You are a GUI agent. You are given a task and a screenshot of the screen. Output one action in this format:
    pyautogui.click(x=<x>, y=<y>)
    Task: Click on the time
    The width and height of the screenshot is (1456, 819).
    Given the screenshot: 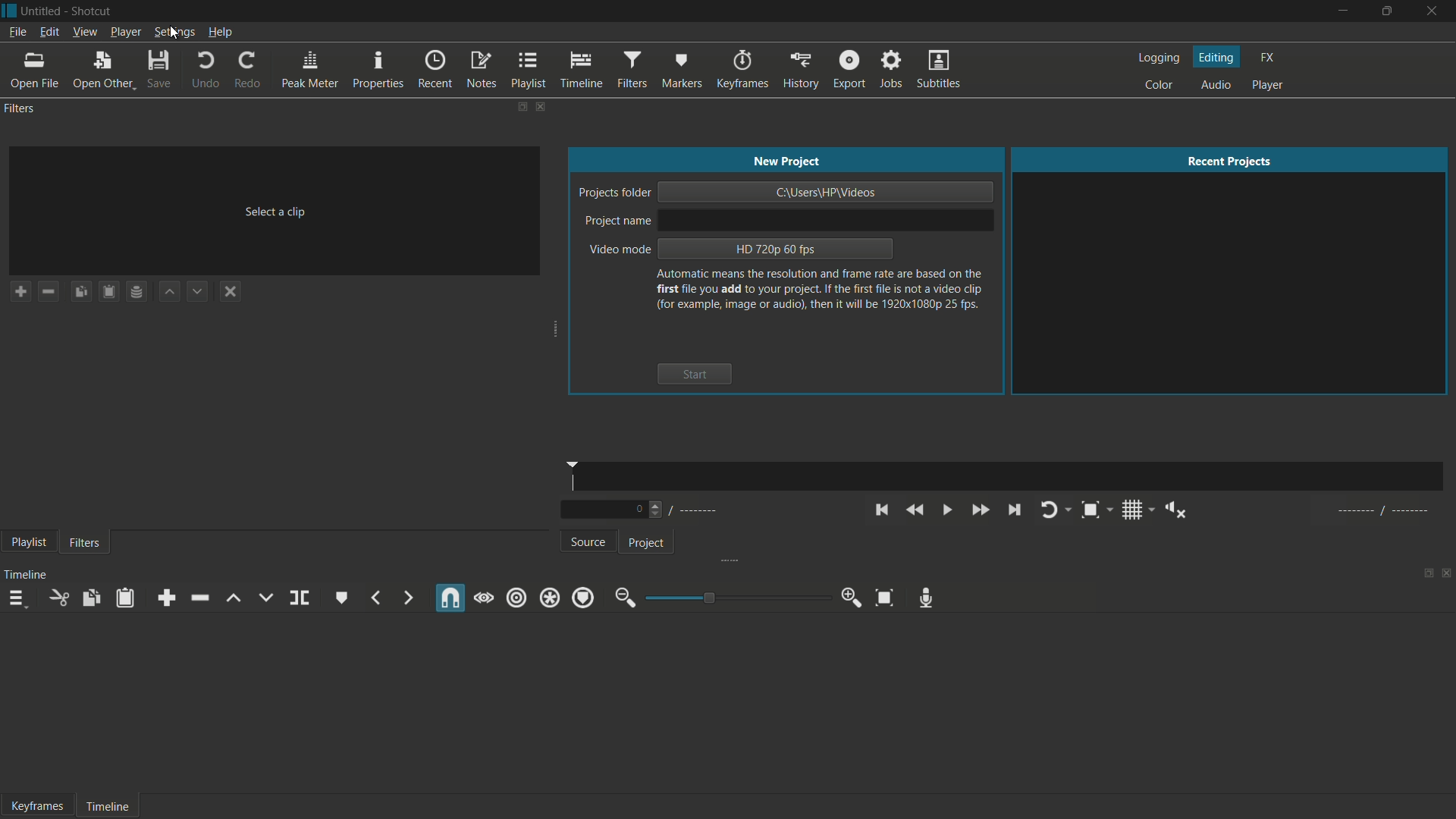 What is the action you would take?
    pyautogui.click(x=1012, y=477)
    